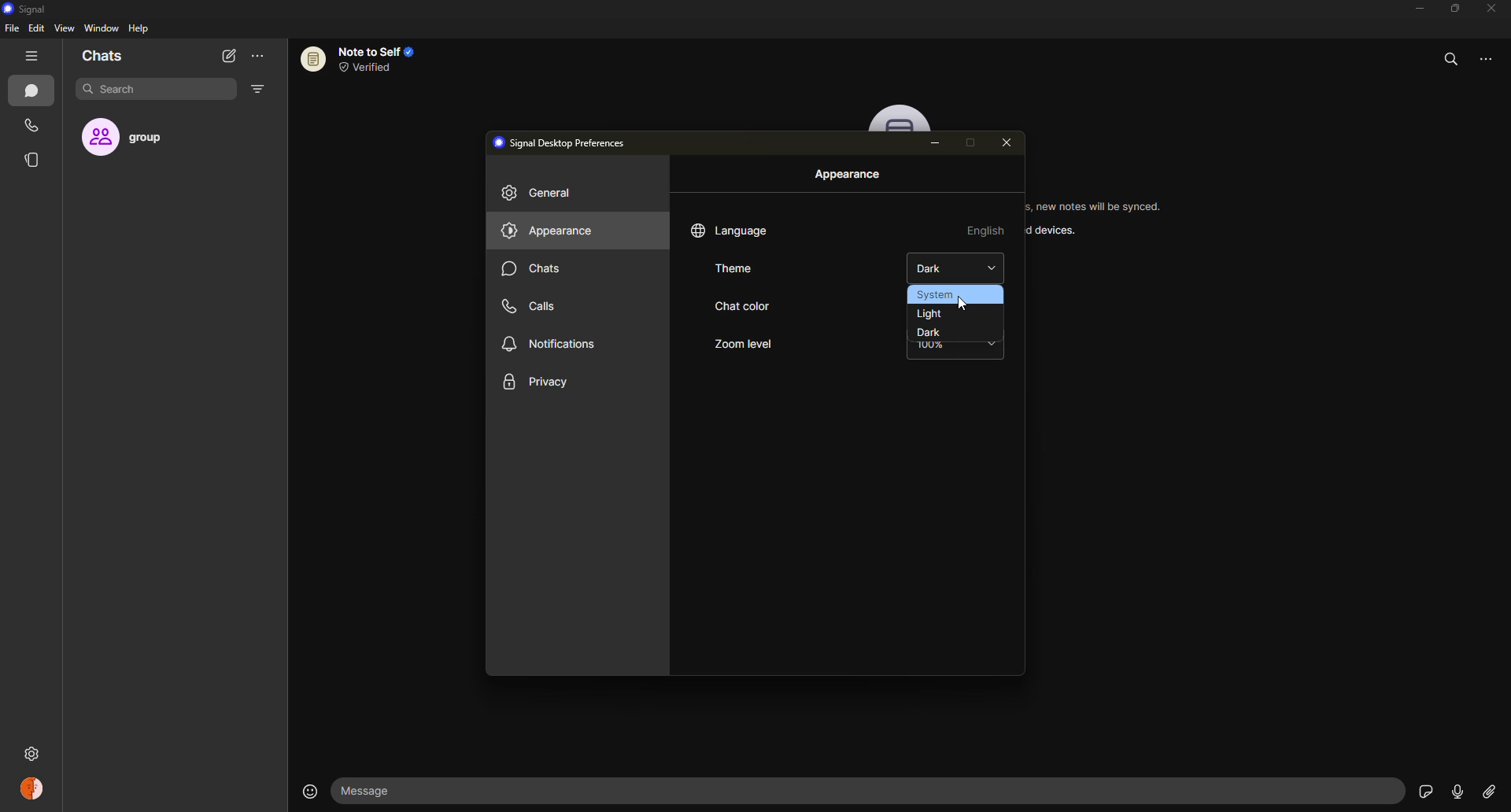 The width and height of the screenshot is (1511, 812). I want to click on profile pic, so click(902, 118).